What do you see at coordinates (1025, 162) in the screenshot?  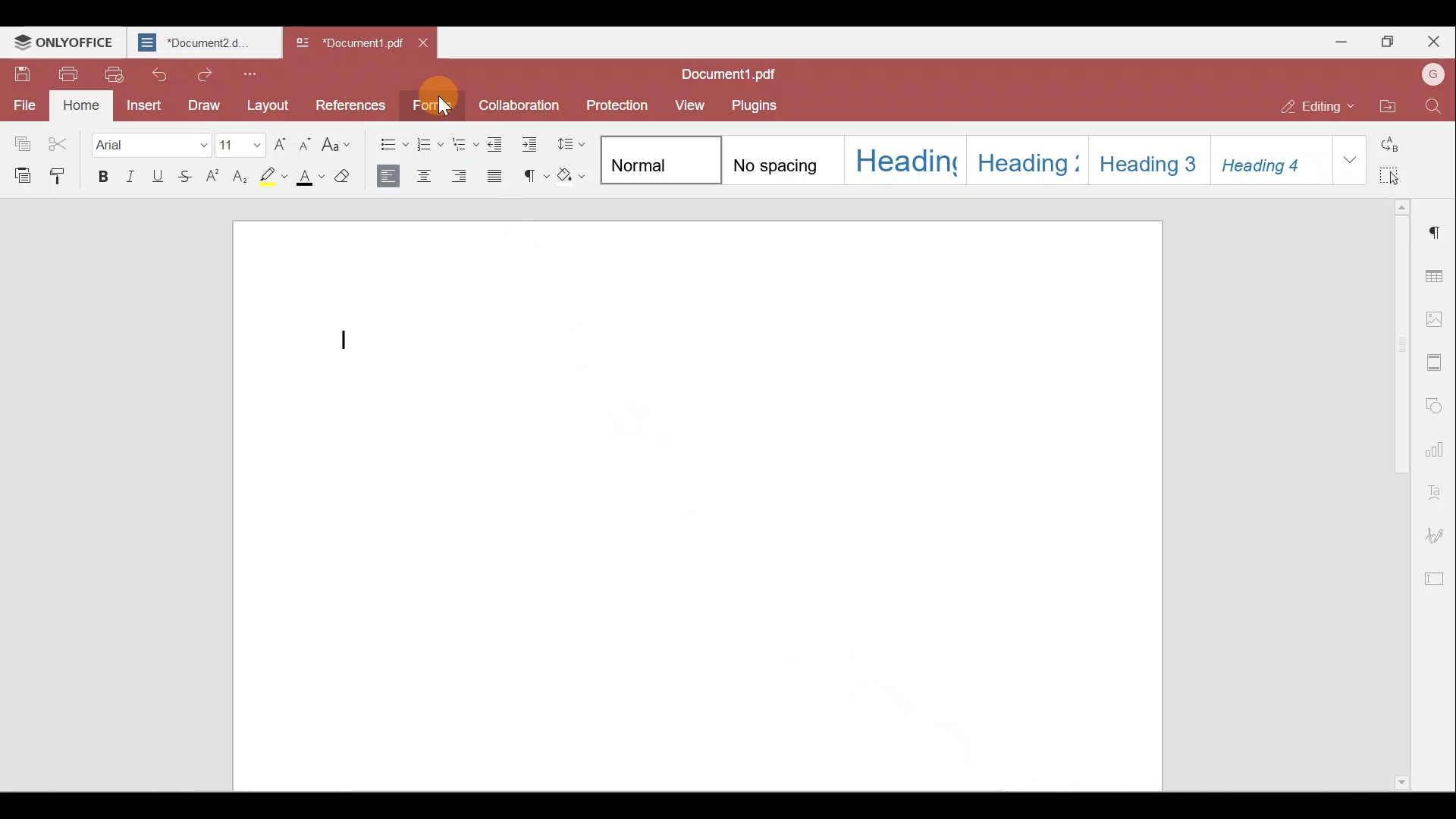 I see `Style 4` at bounding box center [1025, 162].